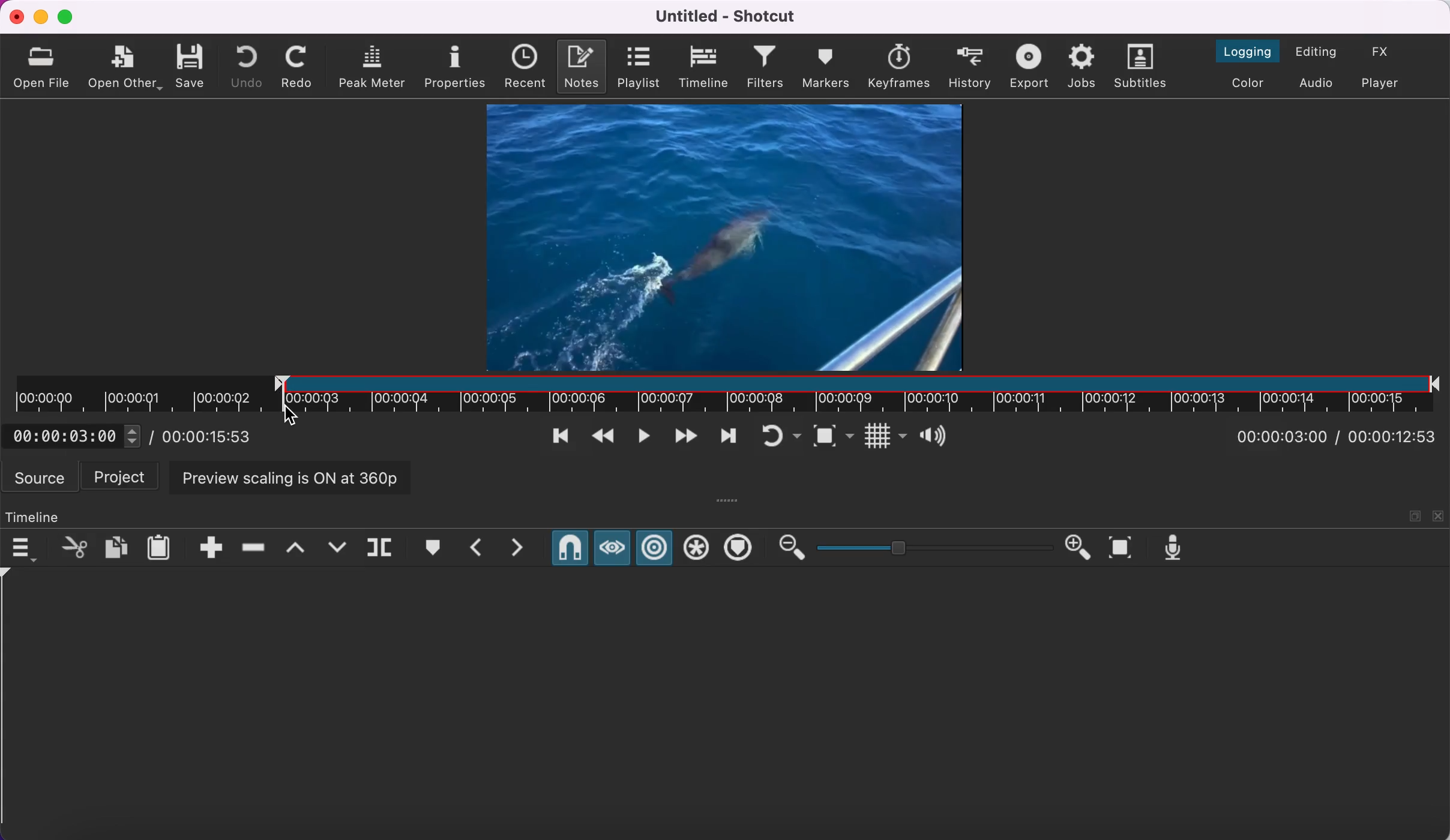 The height and width of the screenshot is (840, 1450). What do you see at coordinates (775, 436) in the screenshot?
I see `` at bounding box center [775, 436].